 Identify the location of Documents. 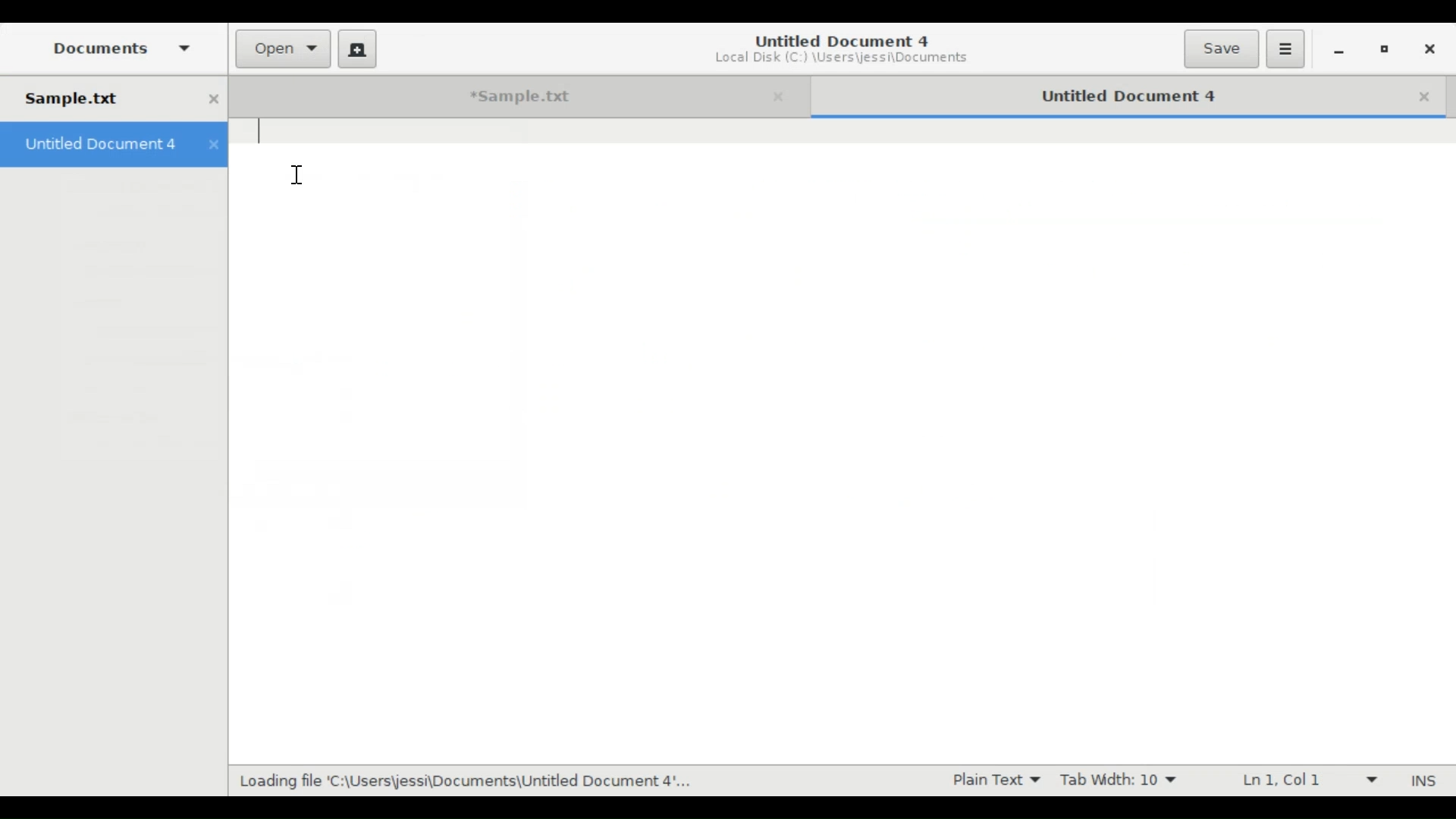
(119, 47).